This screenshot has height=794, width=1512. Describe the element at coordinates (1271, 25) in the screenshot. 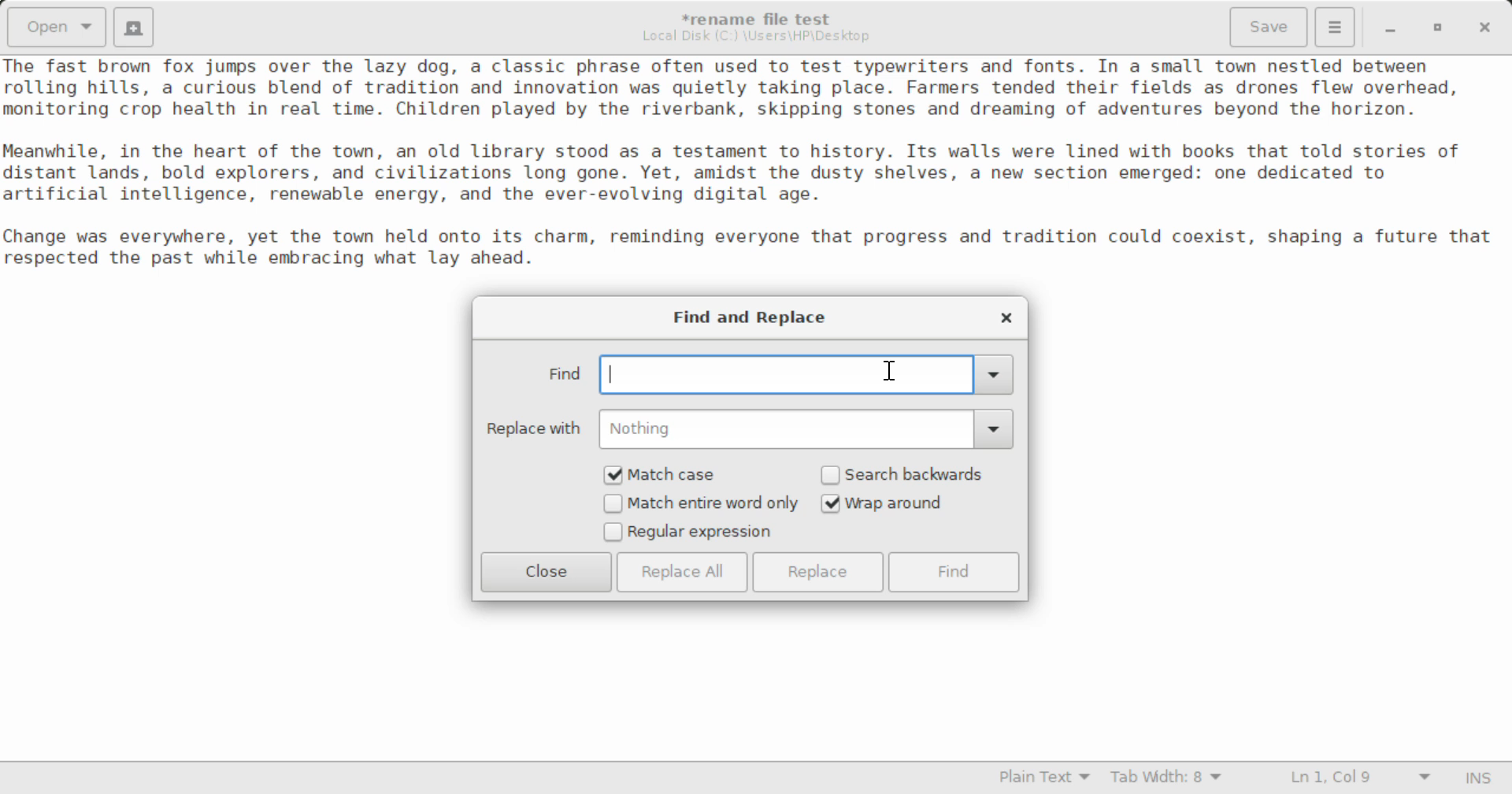

I see `Save File` at that location.